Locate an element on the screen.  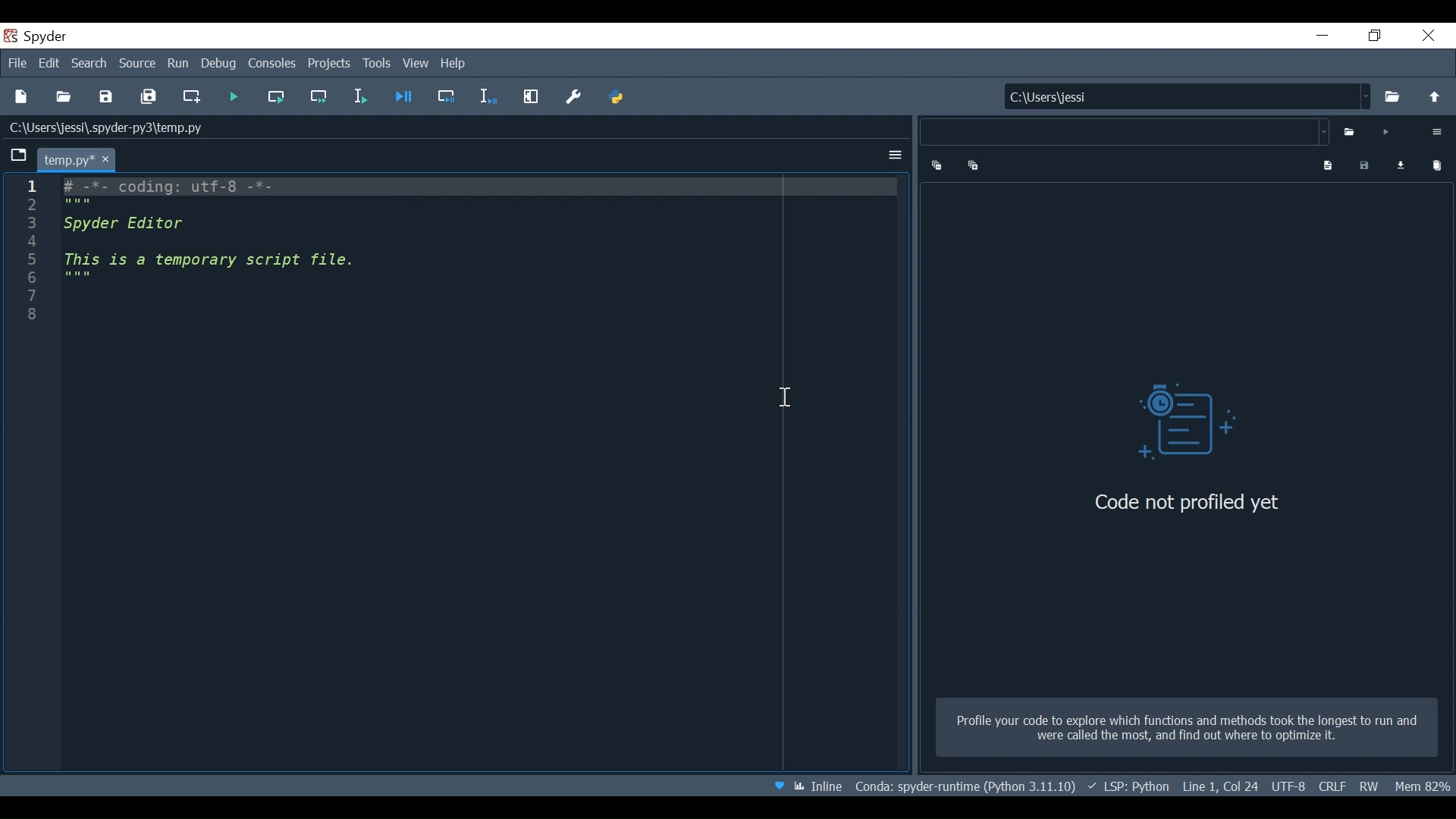
Toggle between inline and interactive Matplotlib plotting is located at coordinates (817, 786).